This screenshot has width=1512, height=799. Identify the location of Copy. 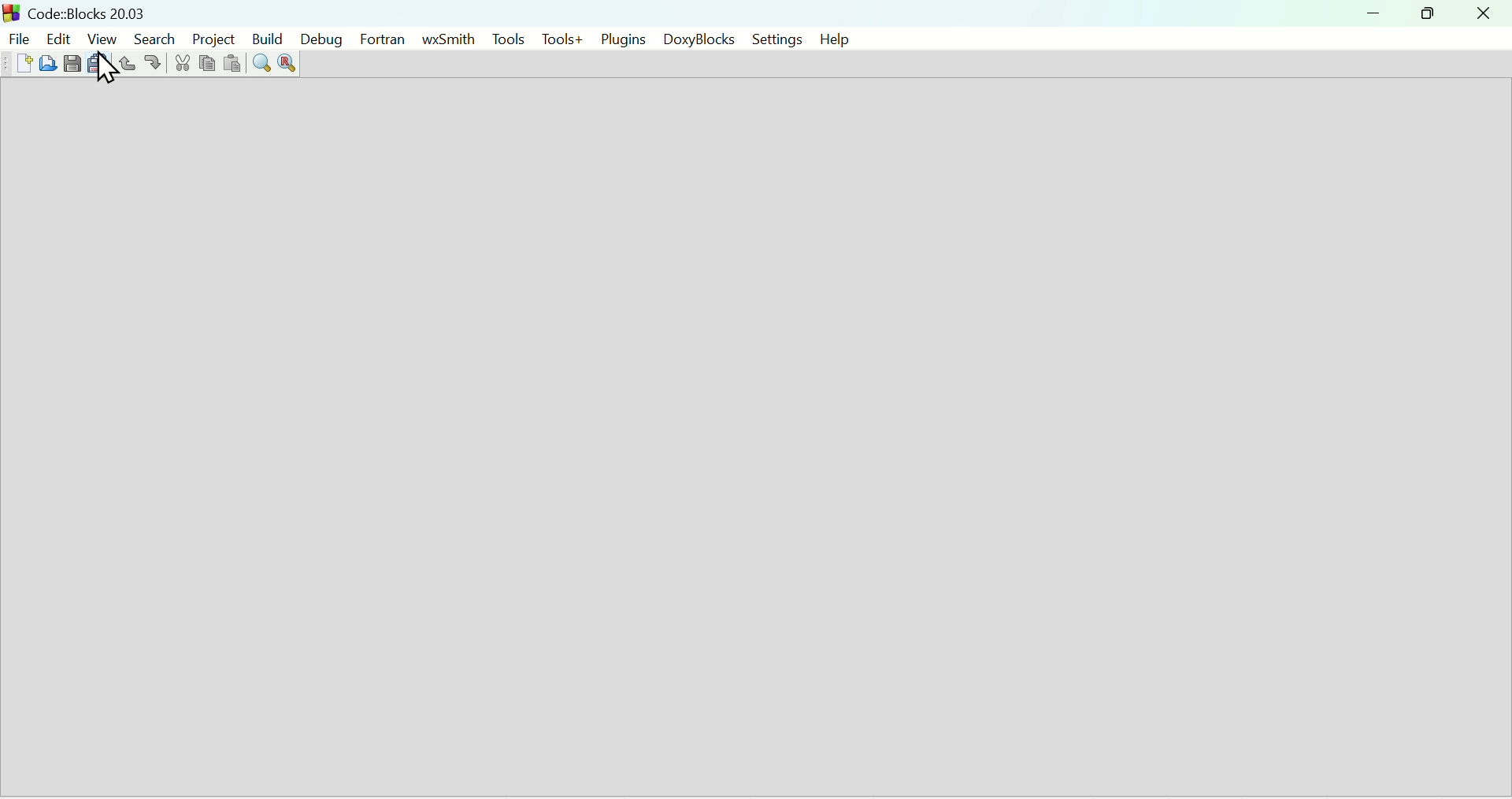
(204, 65).